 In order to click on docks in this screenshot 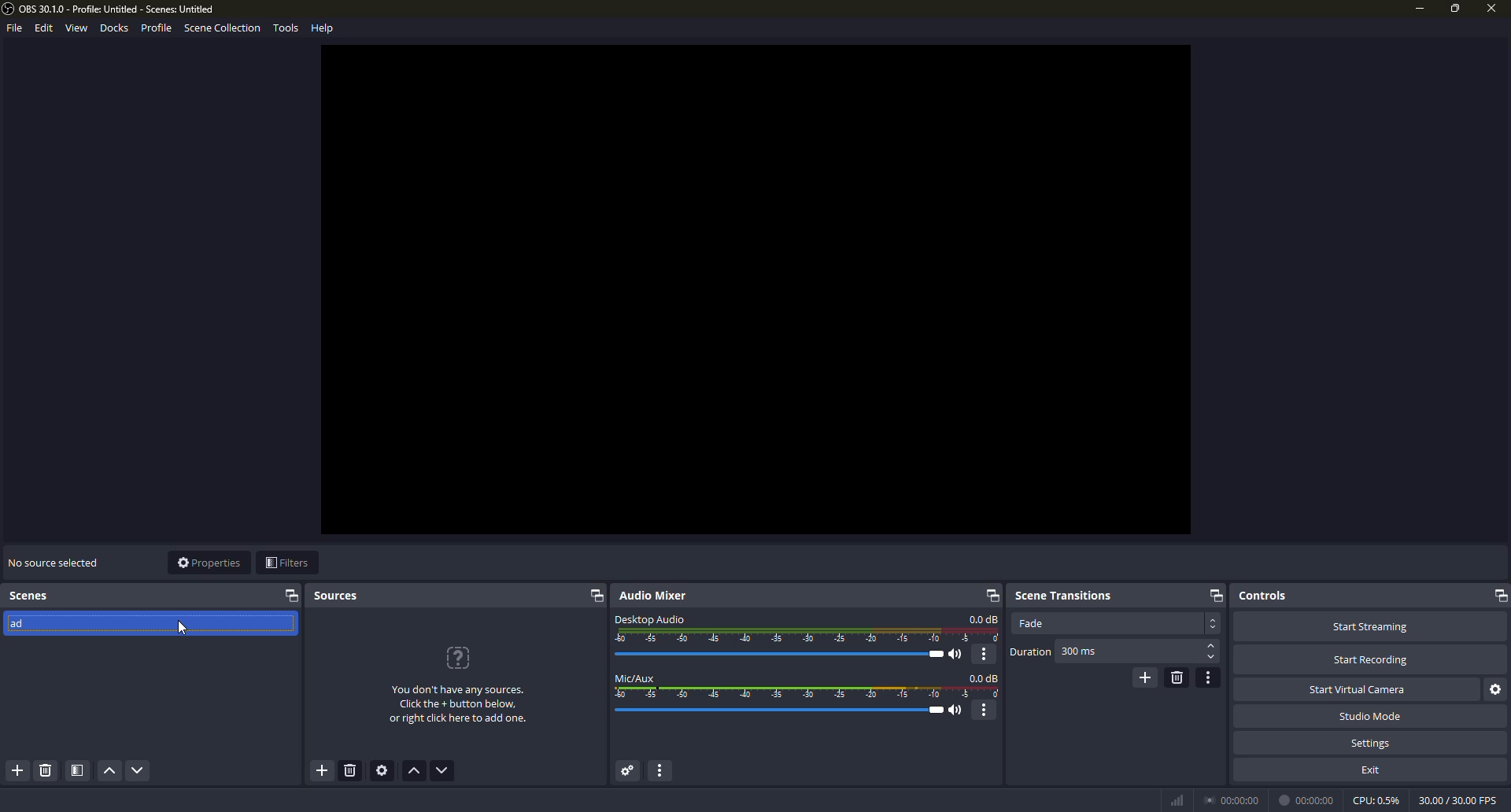, I will do `click(115, 28)`.